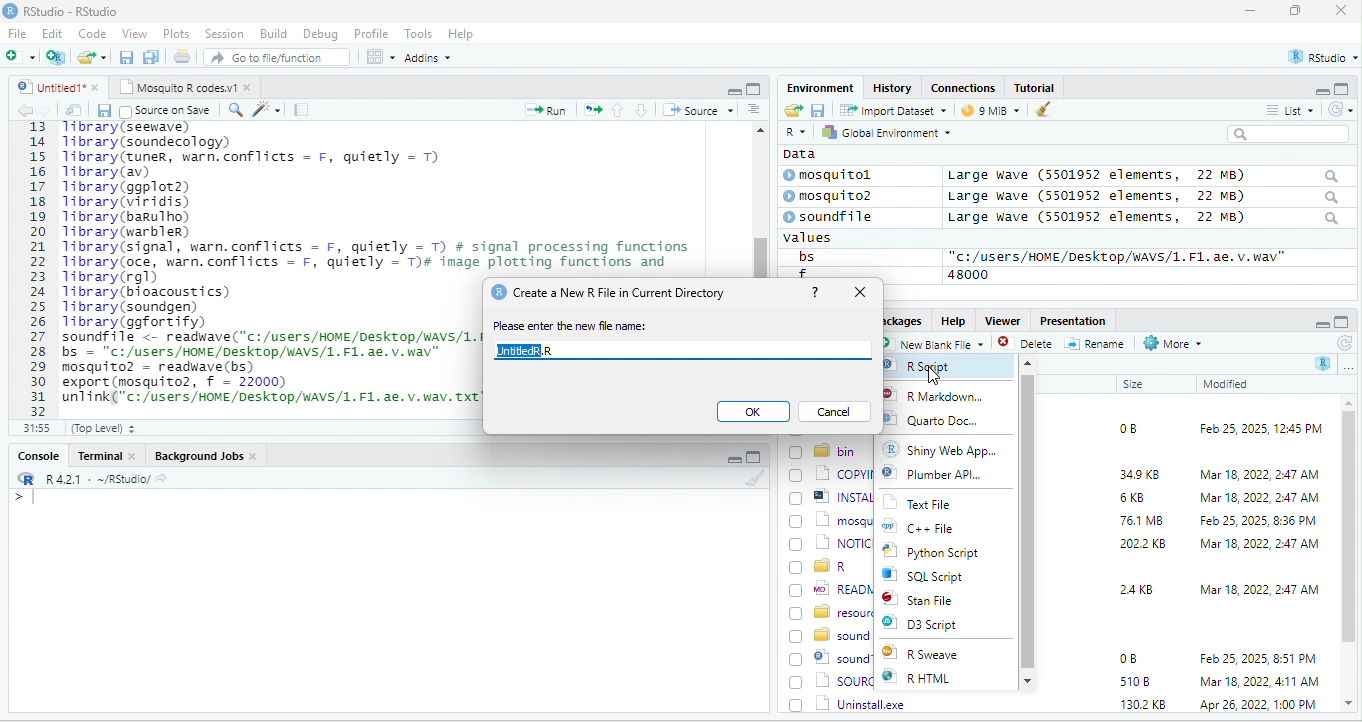  Describe the element at coordinates (1259, 659) in the screenshot. I see `Feb 25, 2025, 8:51 PM` at that location.